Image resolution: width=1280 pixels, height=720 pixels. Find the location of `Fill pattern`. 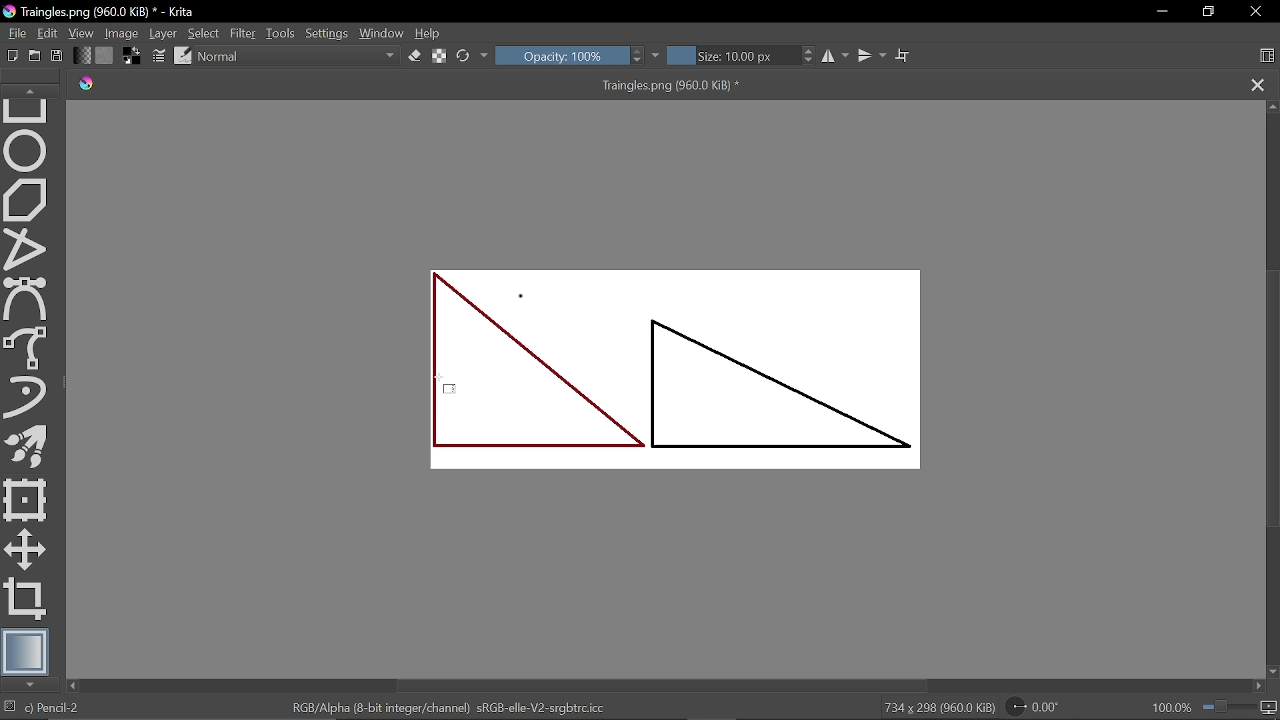

Fill pattern is located at coordinates (105, 54).